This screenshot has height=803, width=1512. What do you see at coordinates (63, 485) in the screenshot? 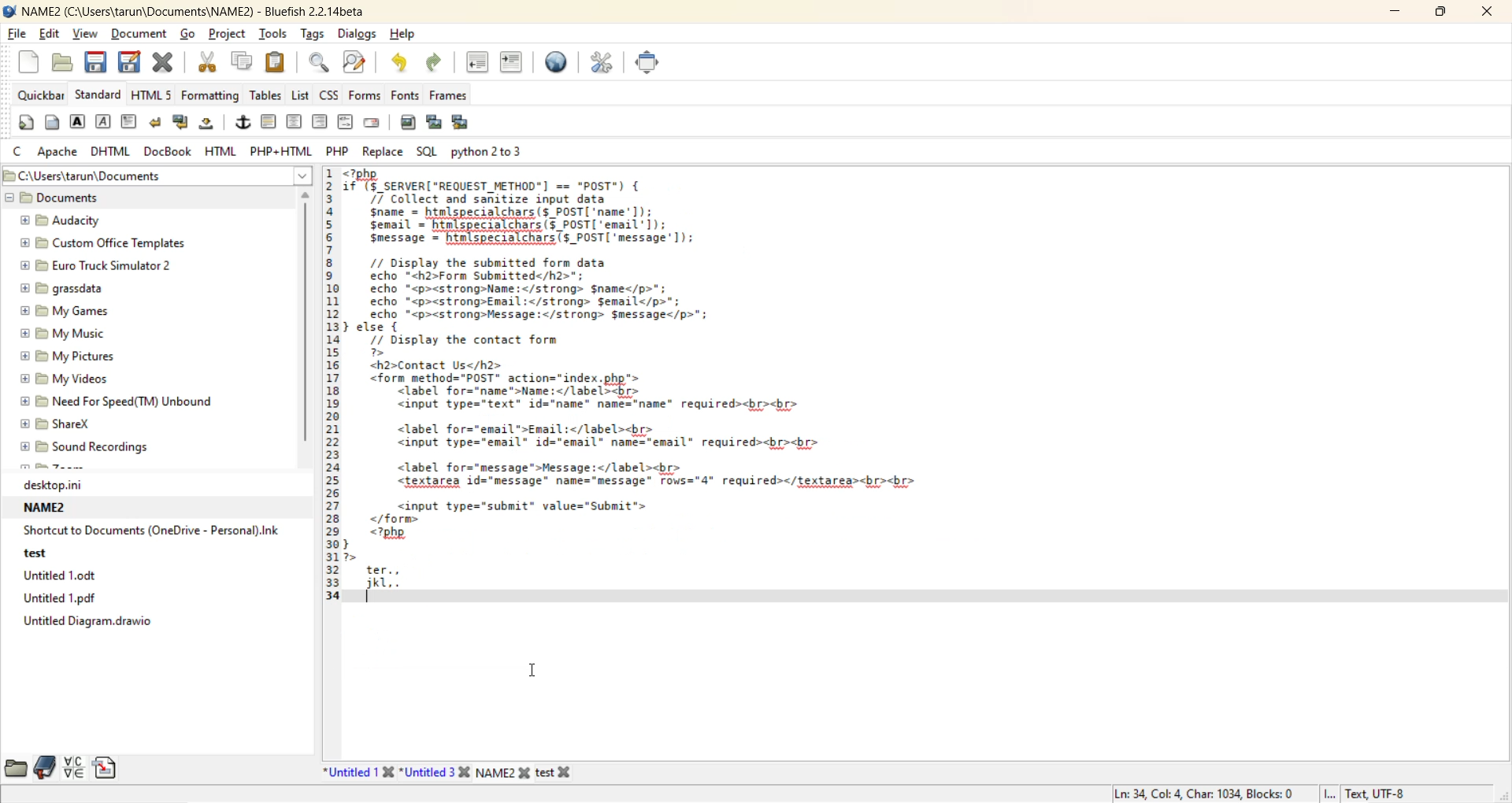
I see `desktop.ini` at bounding box center [63, 485].